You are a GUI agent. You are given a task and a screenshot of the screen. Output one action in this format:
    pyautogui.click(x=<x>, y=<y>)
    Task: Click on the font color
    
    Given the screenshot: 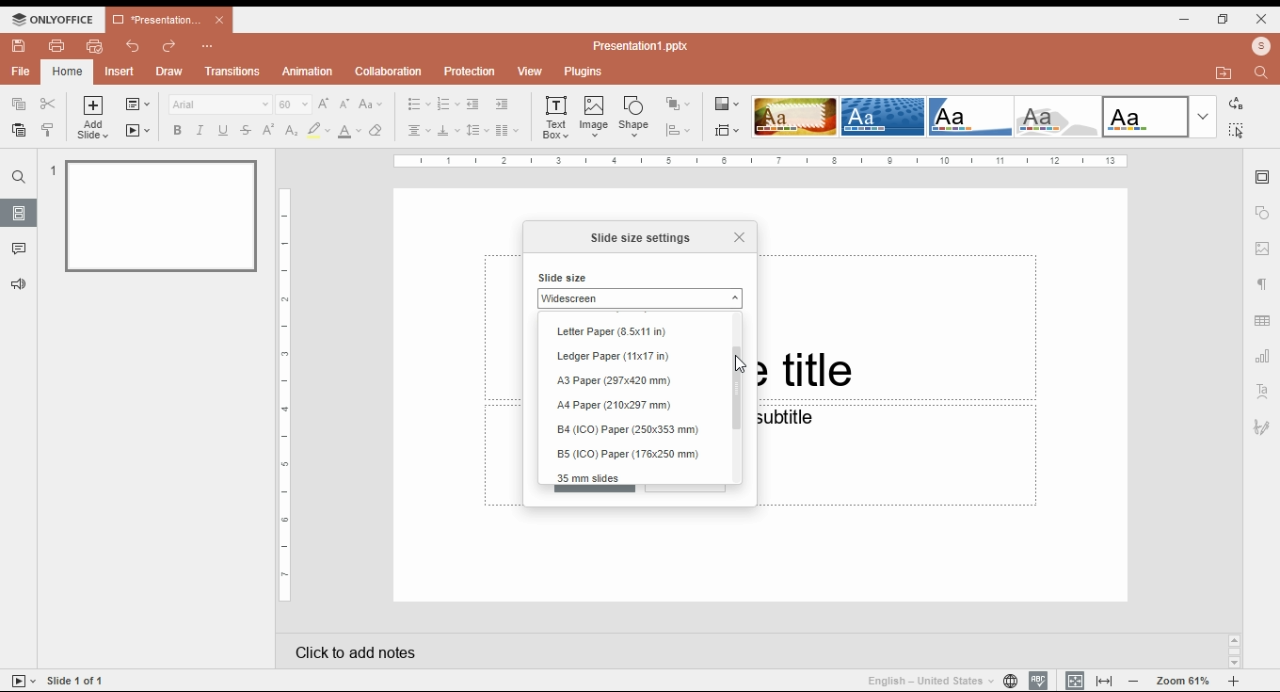 What is the action you would take?
    pyautogui.click(x=351, y=131)
    